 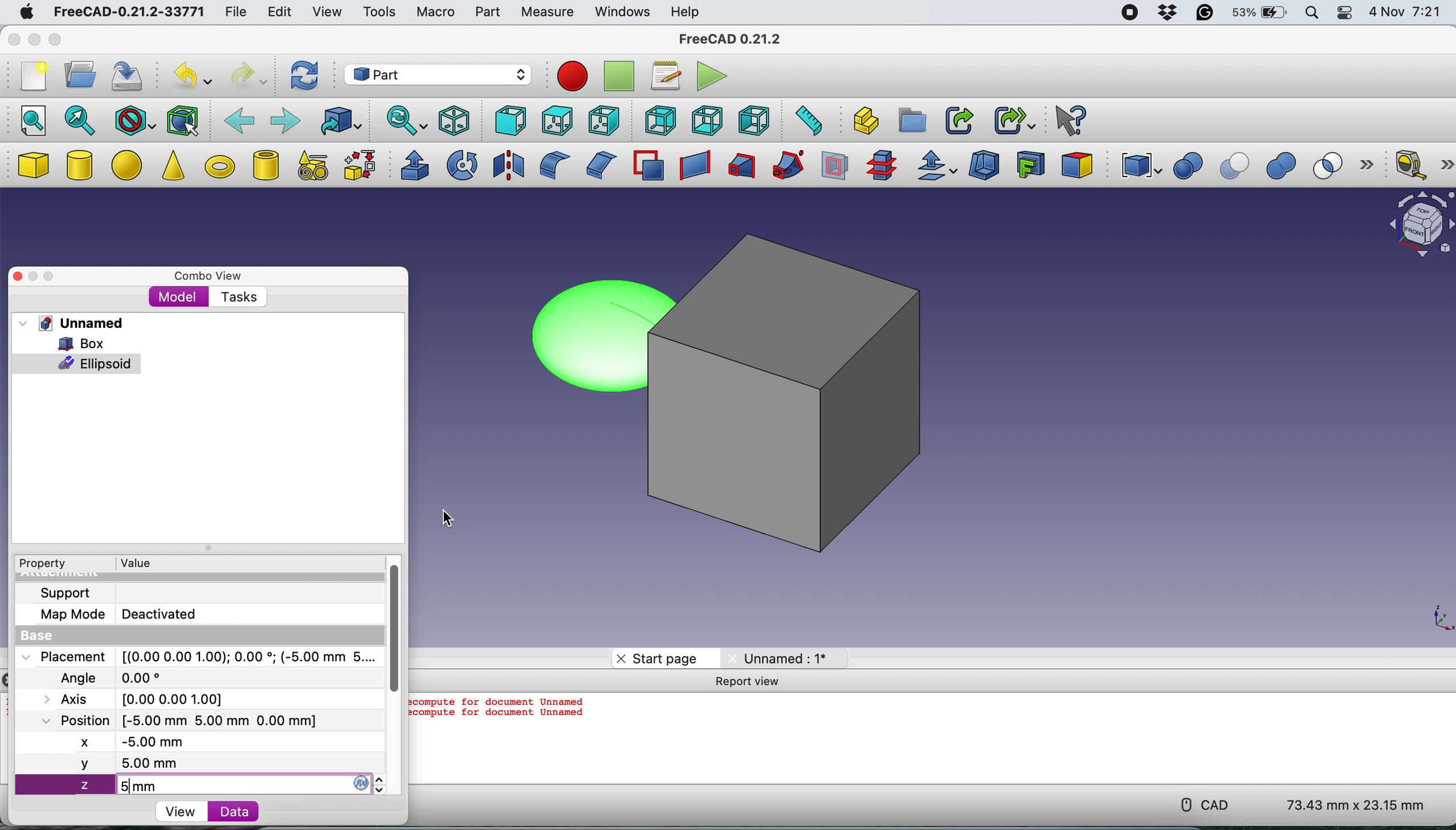 I want to click on save, so click(x=129, y=78).